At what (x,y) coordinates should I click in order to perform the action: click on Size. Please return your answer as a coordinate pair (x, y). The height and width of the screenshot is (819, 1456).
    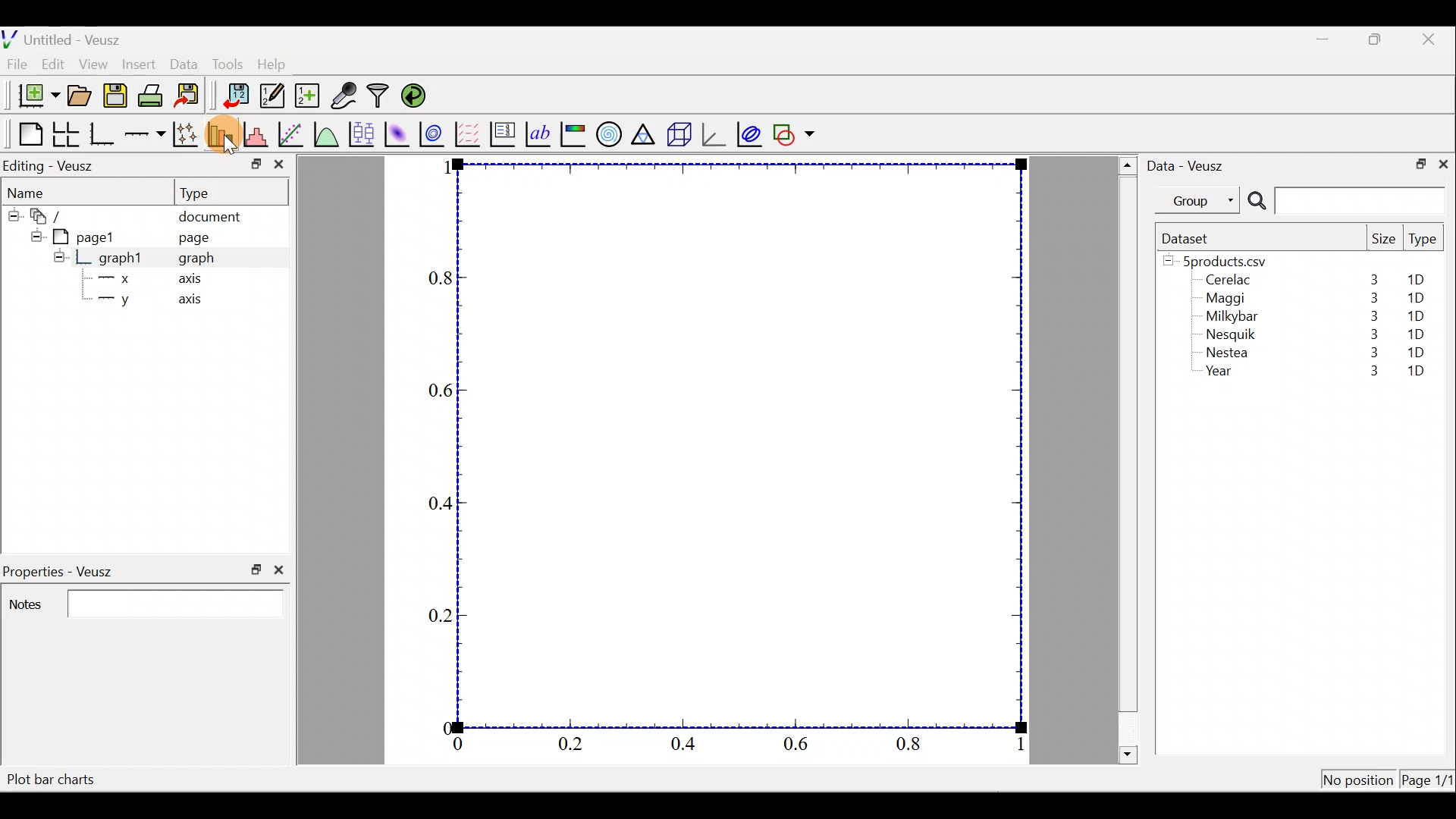
    Looking at the image, I should click on (1383, 240).